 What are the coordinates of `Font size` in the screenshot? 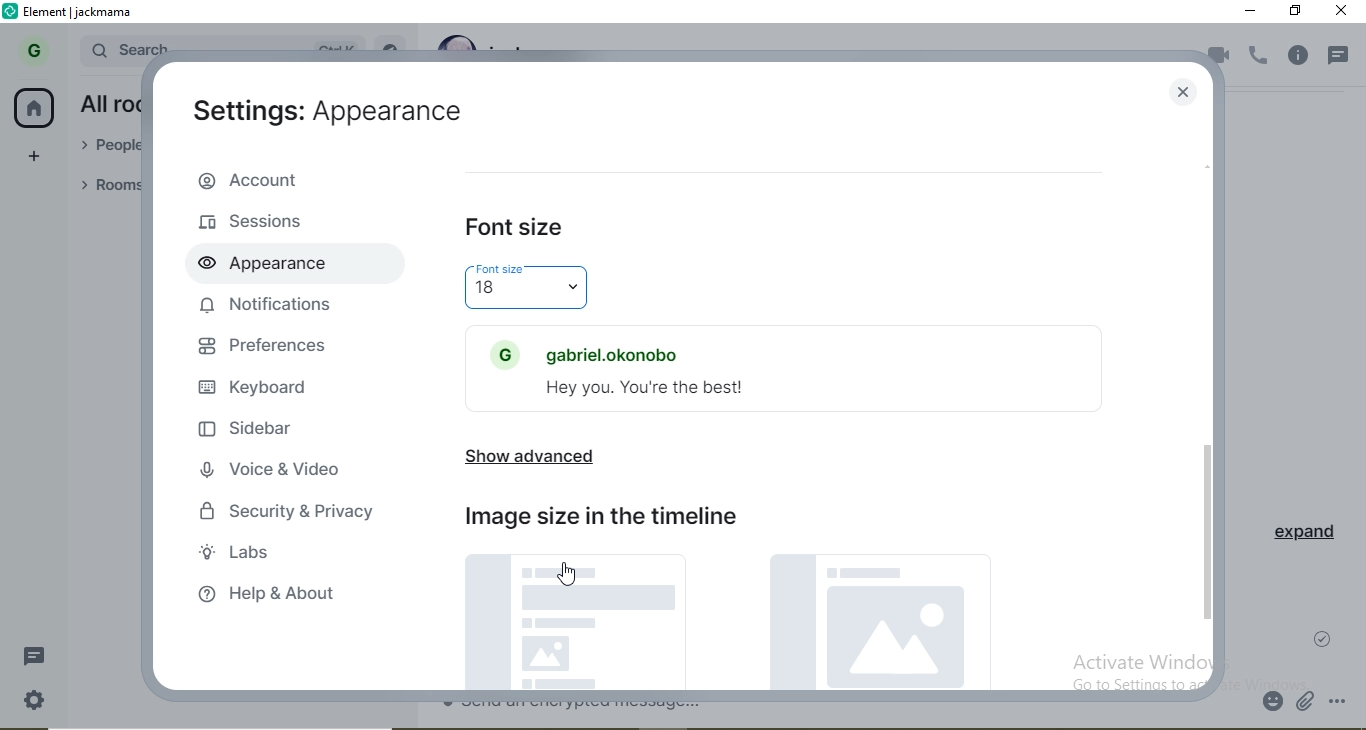 It's located at (503, 266).